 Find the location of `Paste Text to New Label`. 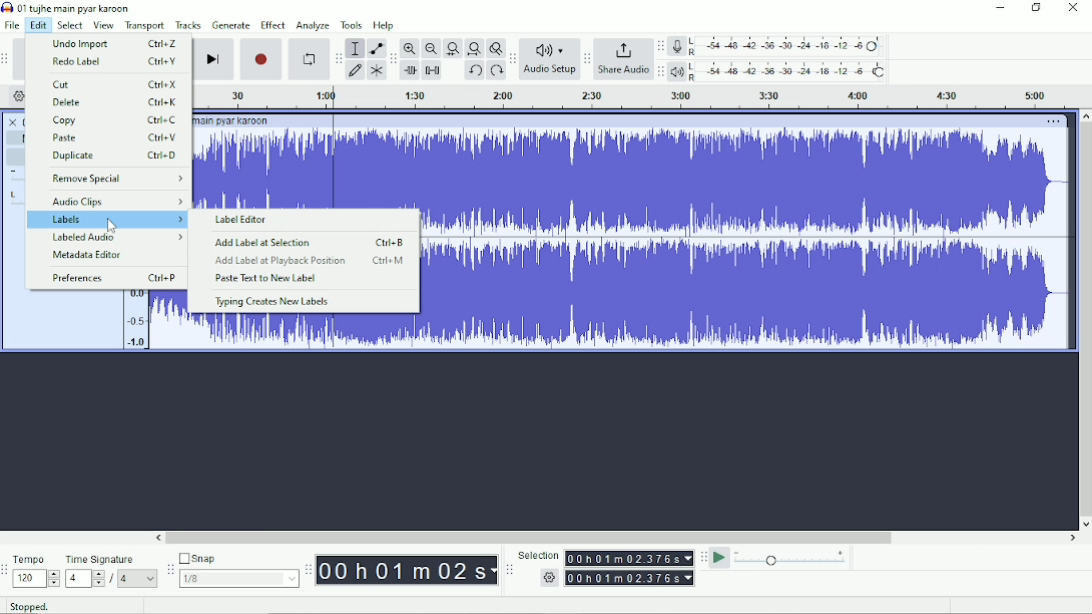

Paste Text to New Label is located at coordinates (264, 279).